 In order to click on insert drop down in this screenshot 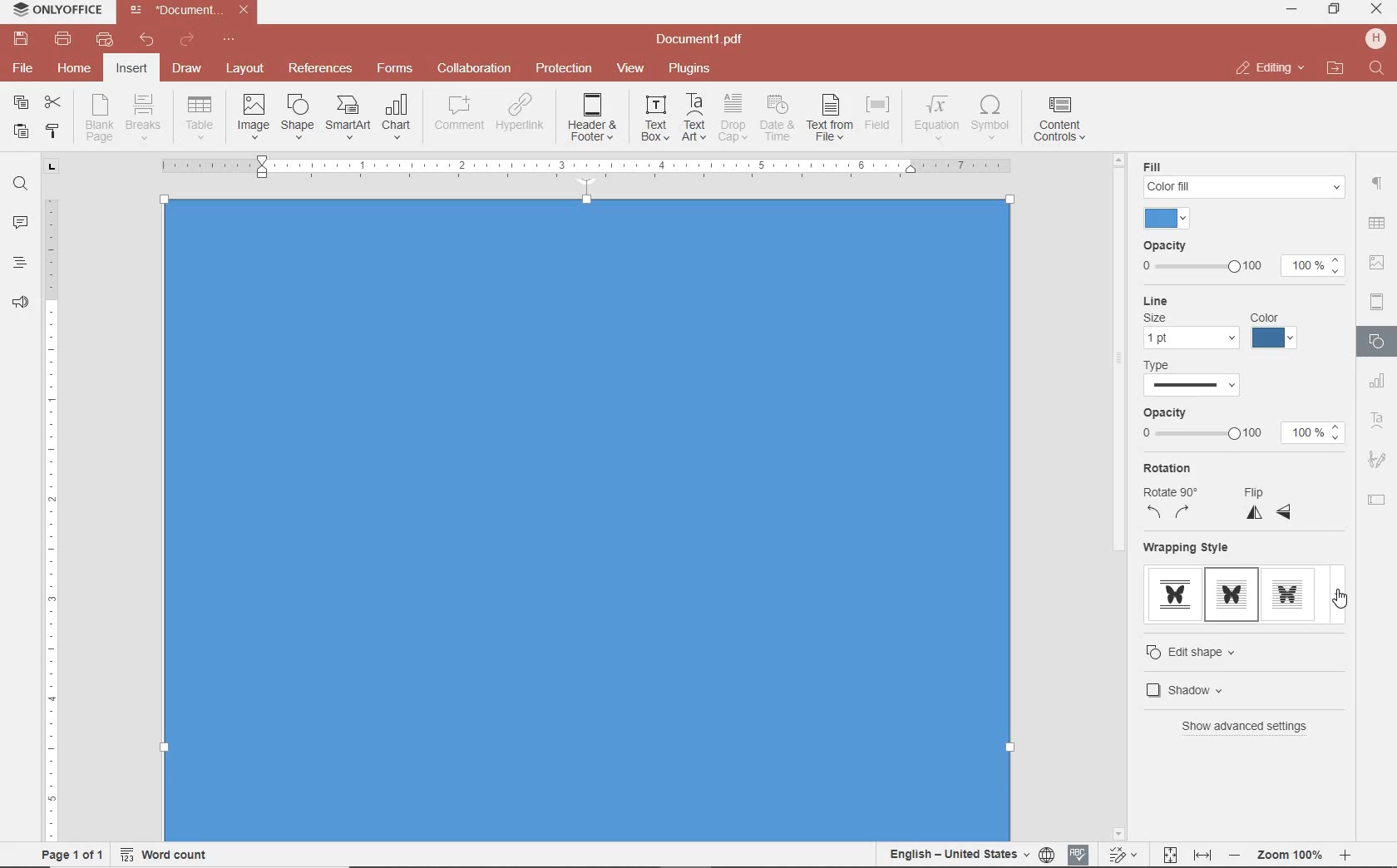, I will do `click(205, 116)`.